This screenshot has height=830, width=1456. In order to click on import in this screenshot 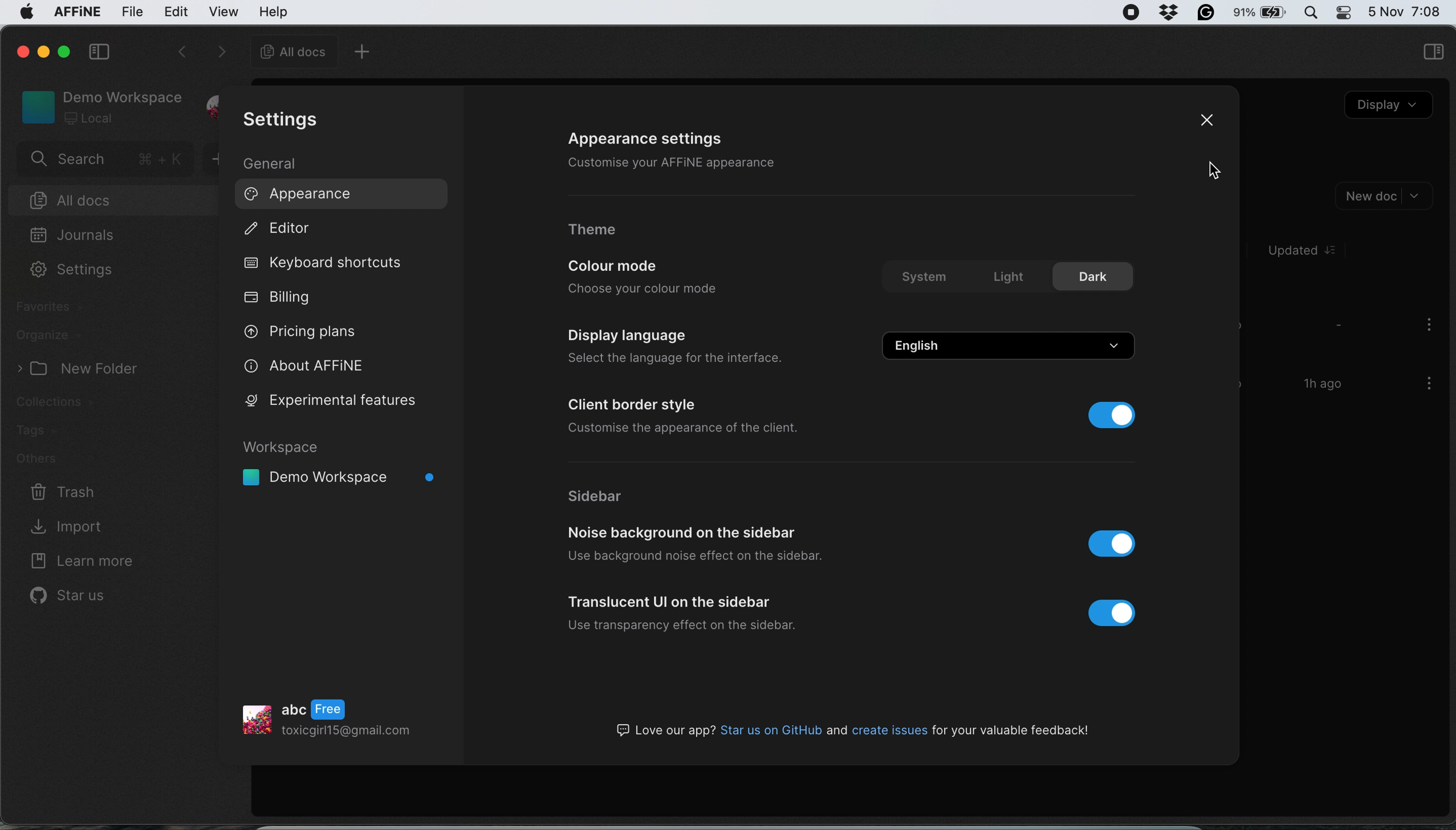, I will do `click(76, 528)`.